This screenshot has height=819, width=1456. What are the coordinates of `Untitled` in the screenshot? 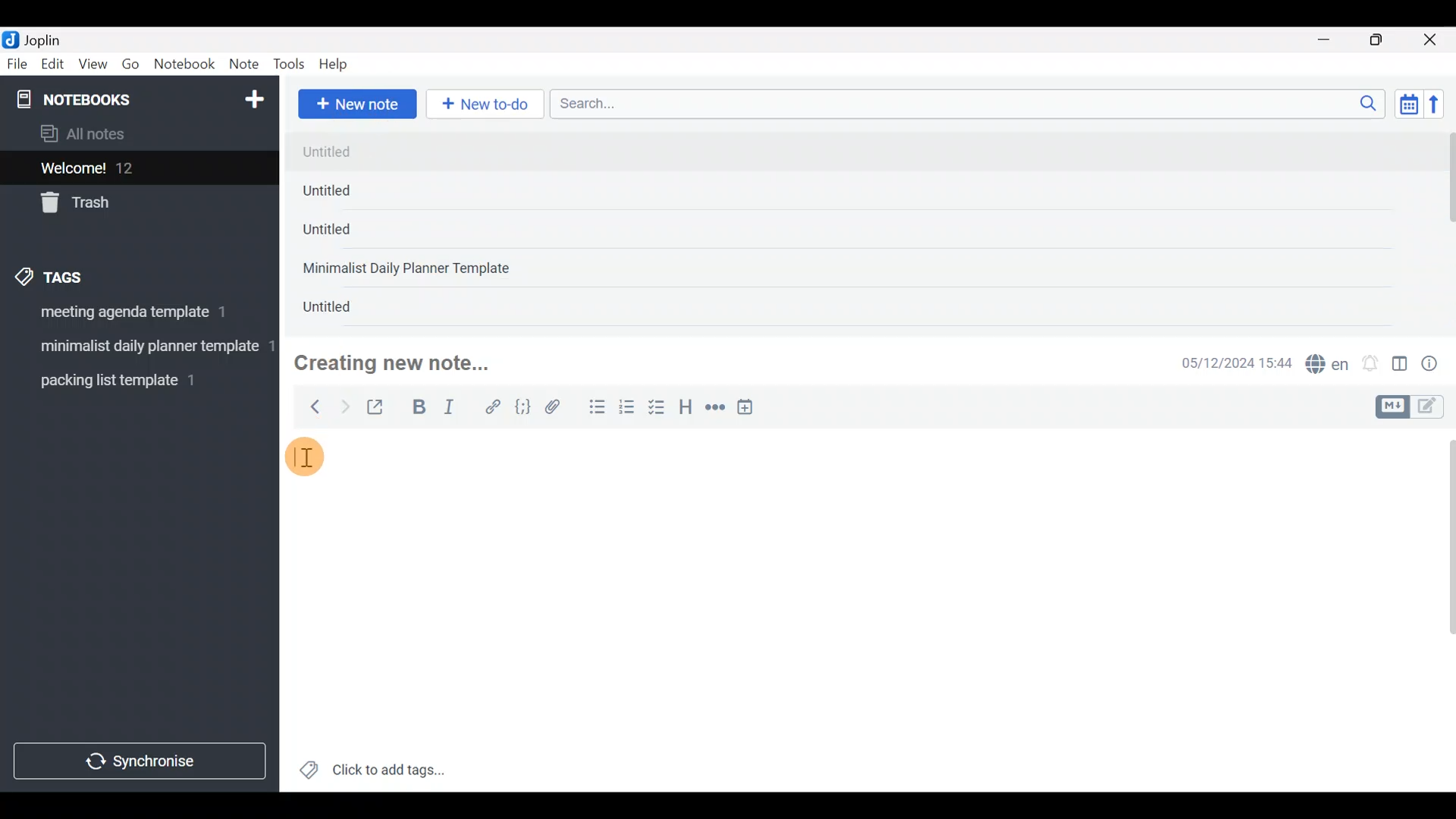 It's located at (344, 310).